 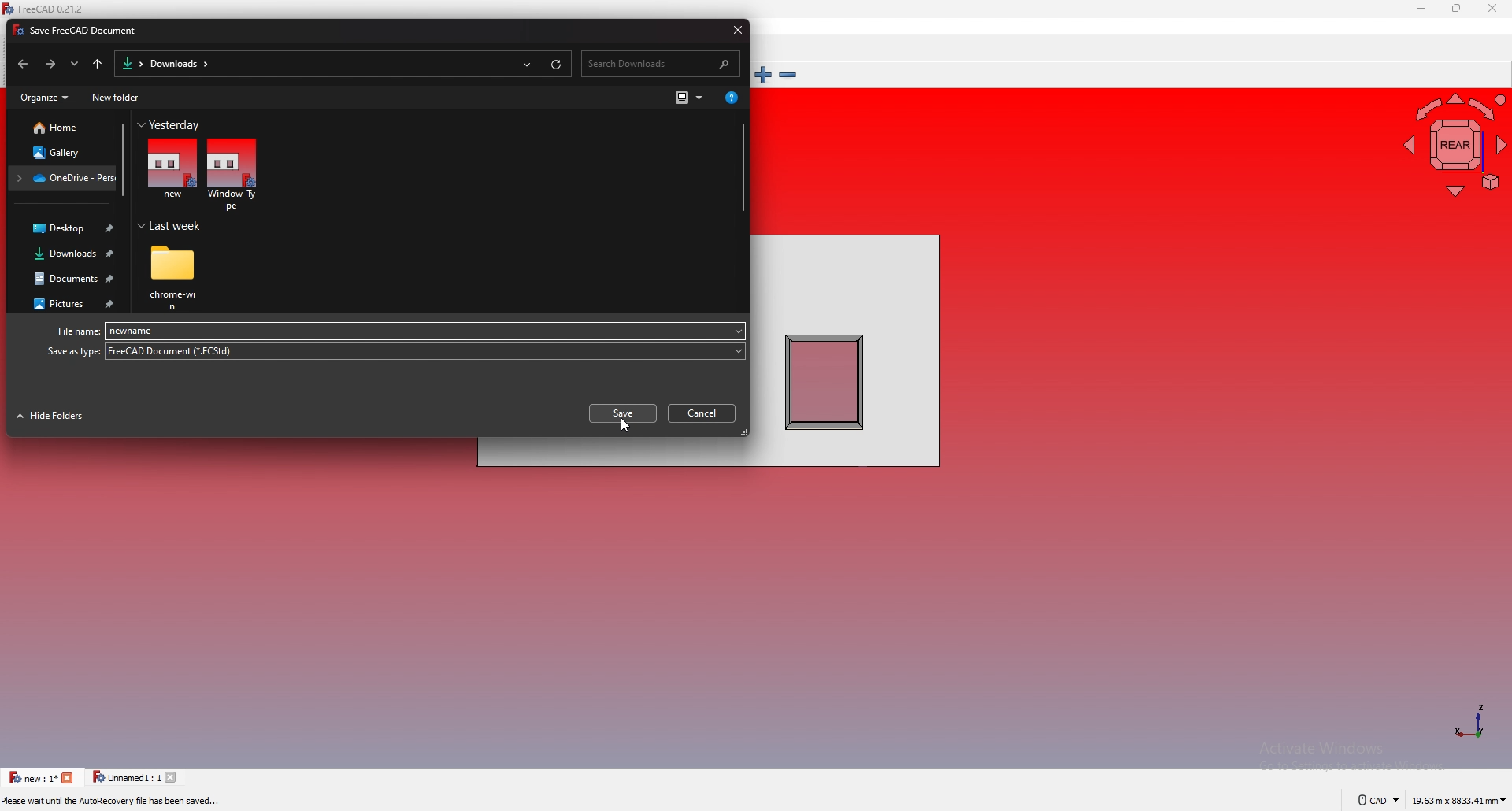 What do you see at coordinates (1377, 799) in the screenshot?
I see `cad navigation` at bounding box center [1377, 799].